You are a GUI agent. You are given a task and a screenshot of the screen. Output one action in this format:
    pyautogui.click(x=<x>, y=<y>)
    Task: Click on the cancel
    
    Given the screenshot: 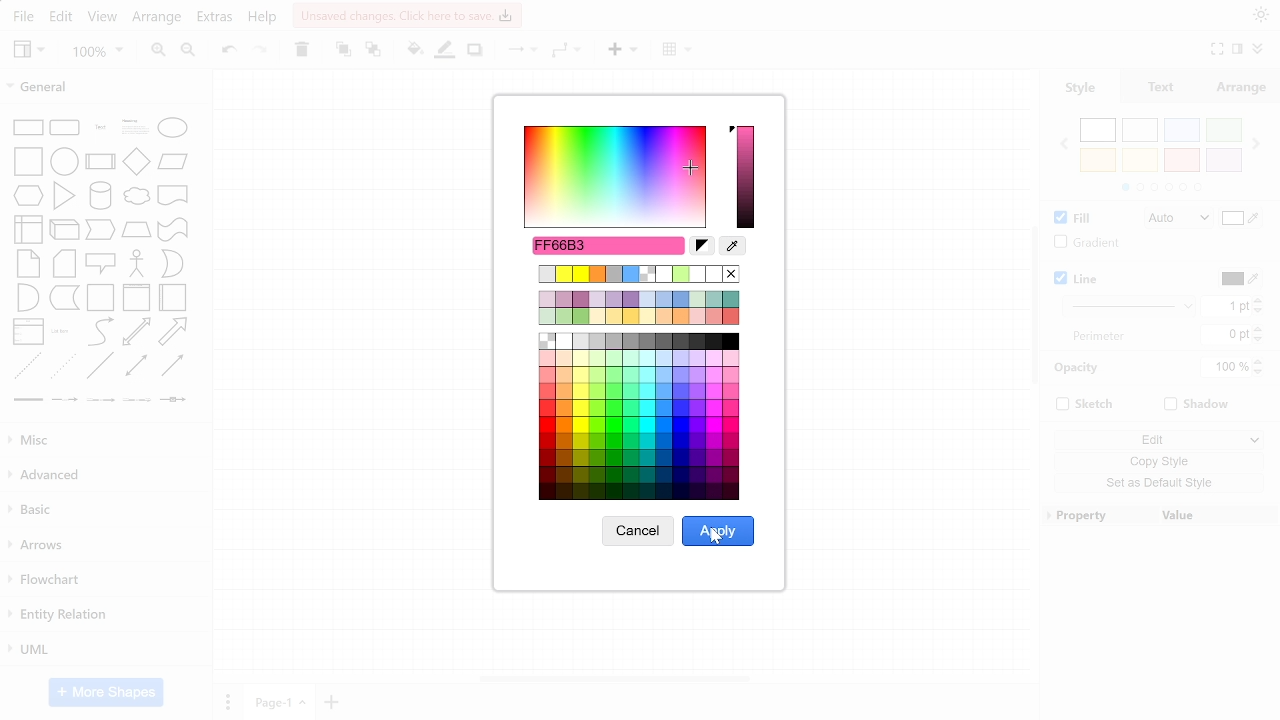 What is the action you would take?
    pyautogui.click(x=638, y=531)
    